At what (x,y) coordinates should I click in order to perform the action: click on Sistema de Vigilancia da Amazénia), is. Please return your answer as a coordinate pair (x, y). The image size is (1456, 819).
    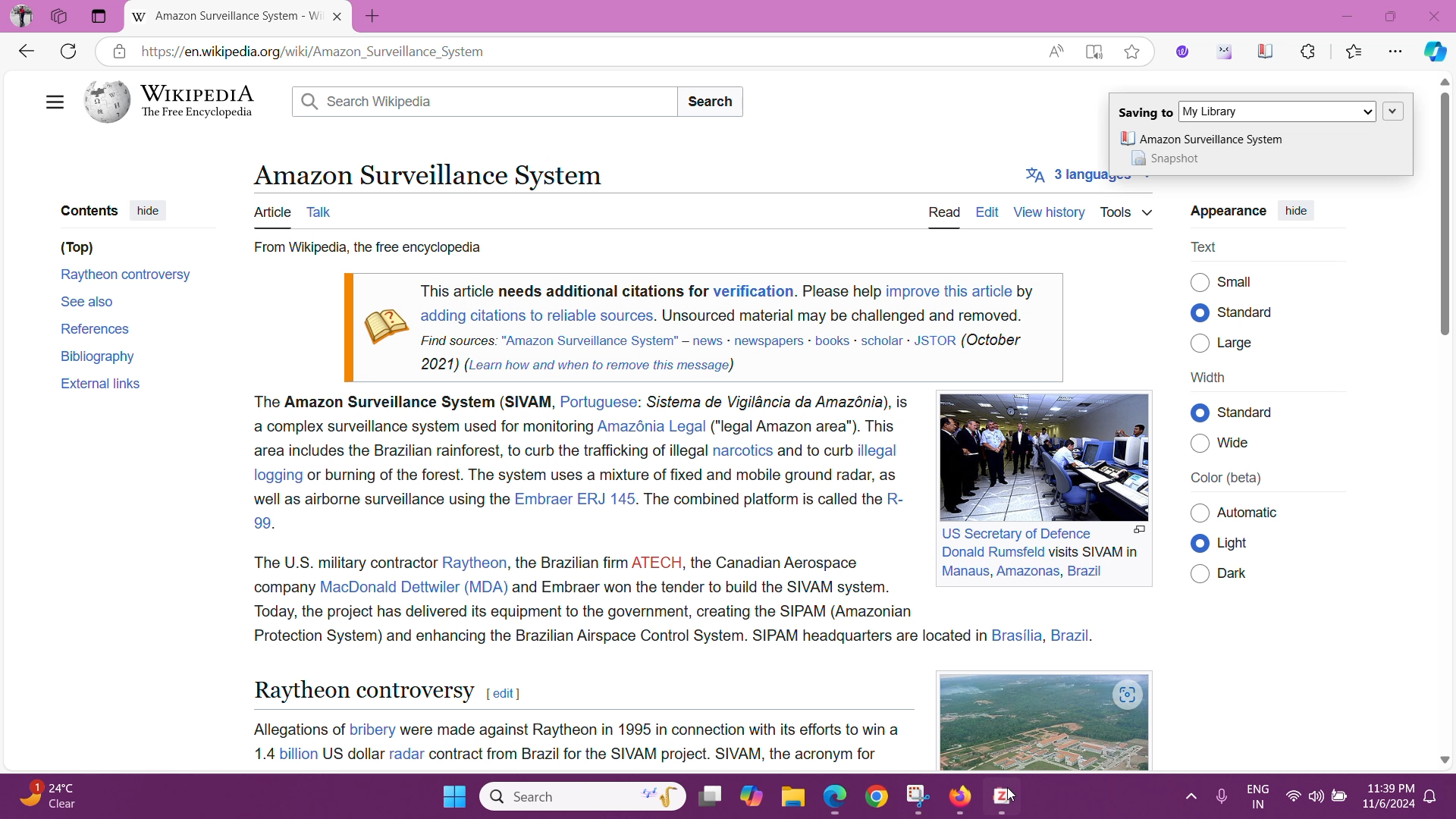
    Looking at the image, I should click on (778, 401).